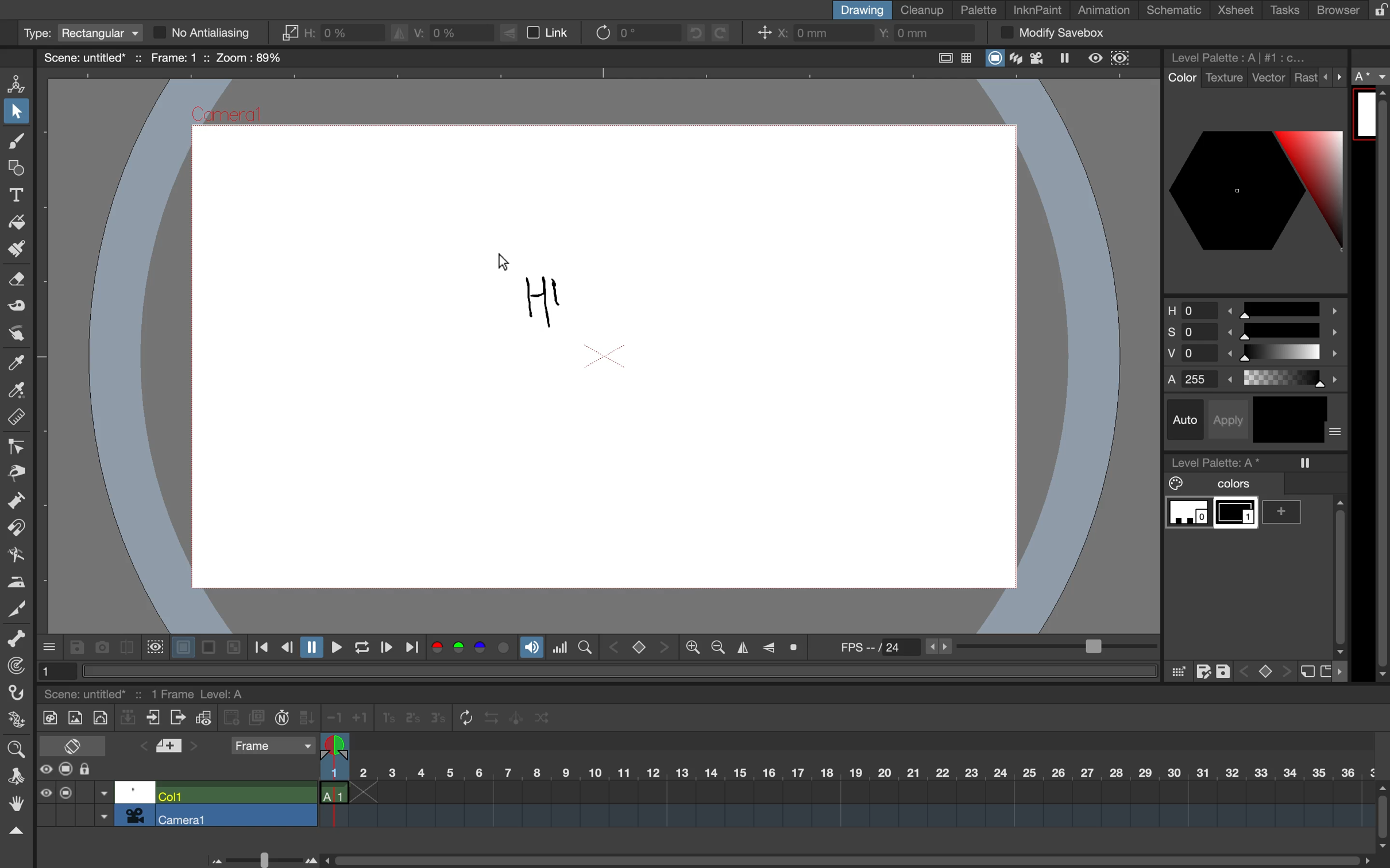  What do you see at coordinates (15, 805) in the screenshot?
I see `hand tool` at bounding box center [15, 805].